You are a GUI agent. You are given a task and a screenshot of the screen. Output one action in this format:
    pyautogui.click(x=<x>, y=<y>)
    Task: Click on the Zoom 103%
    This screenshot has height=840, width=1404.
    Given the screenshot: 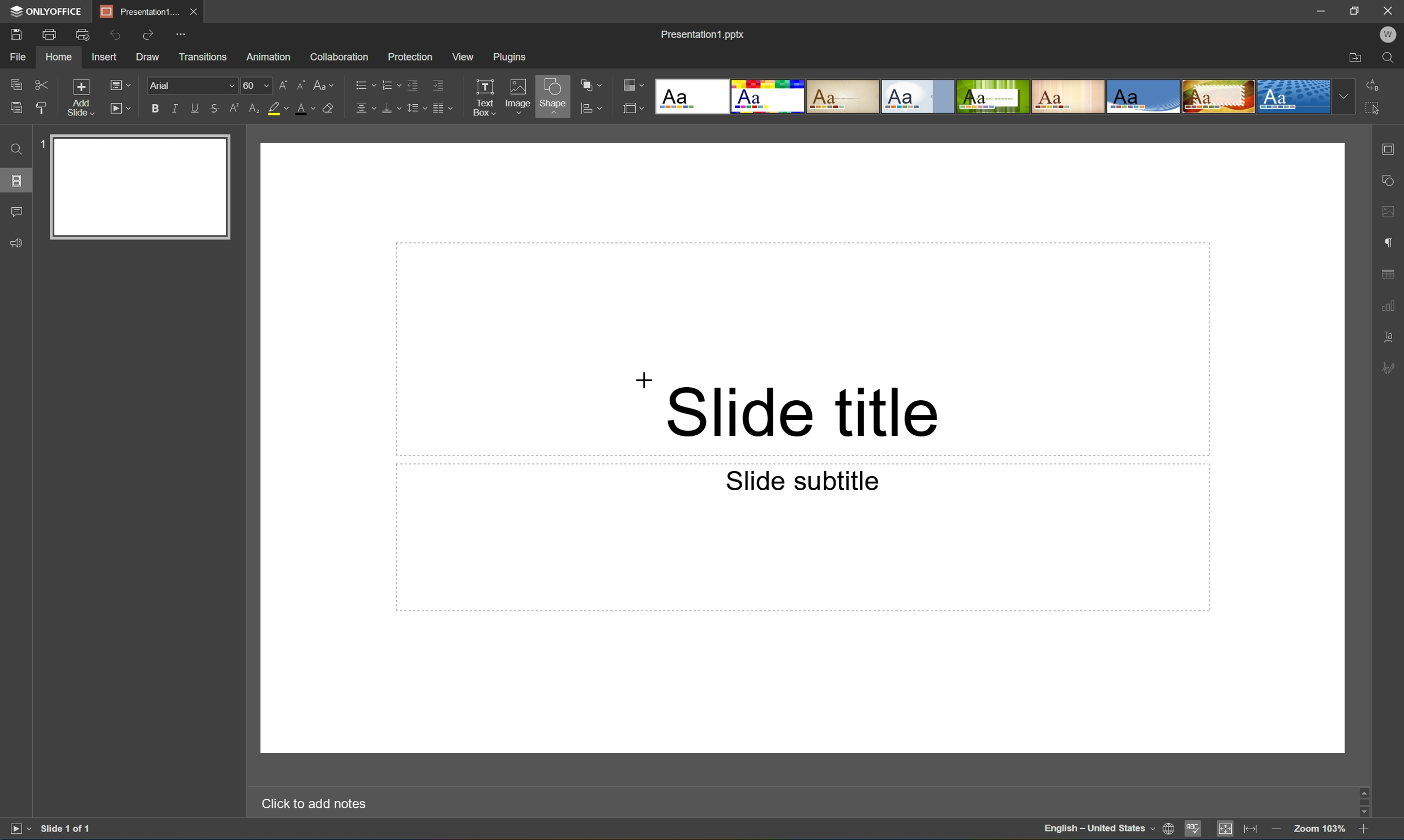 What is the action you would take?
    pyautogui.click(x=1319, y=829)
    